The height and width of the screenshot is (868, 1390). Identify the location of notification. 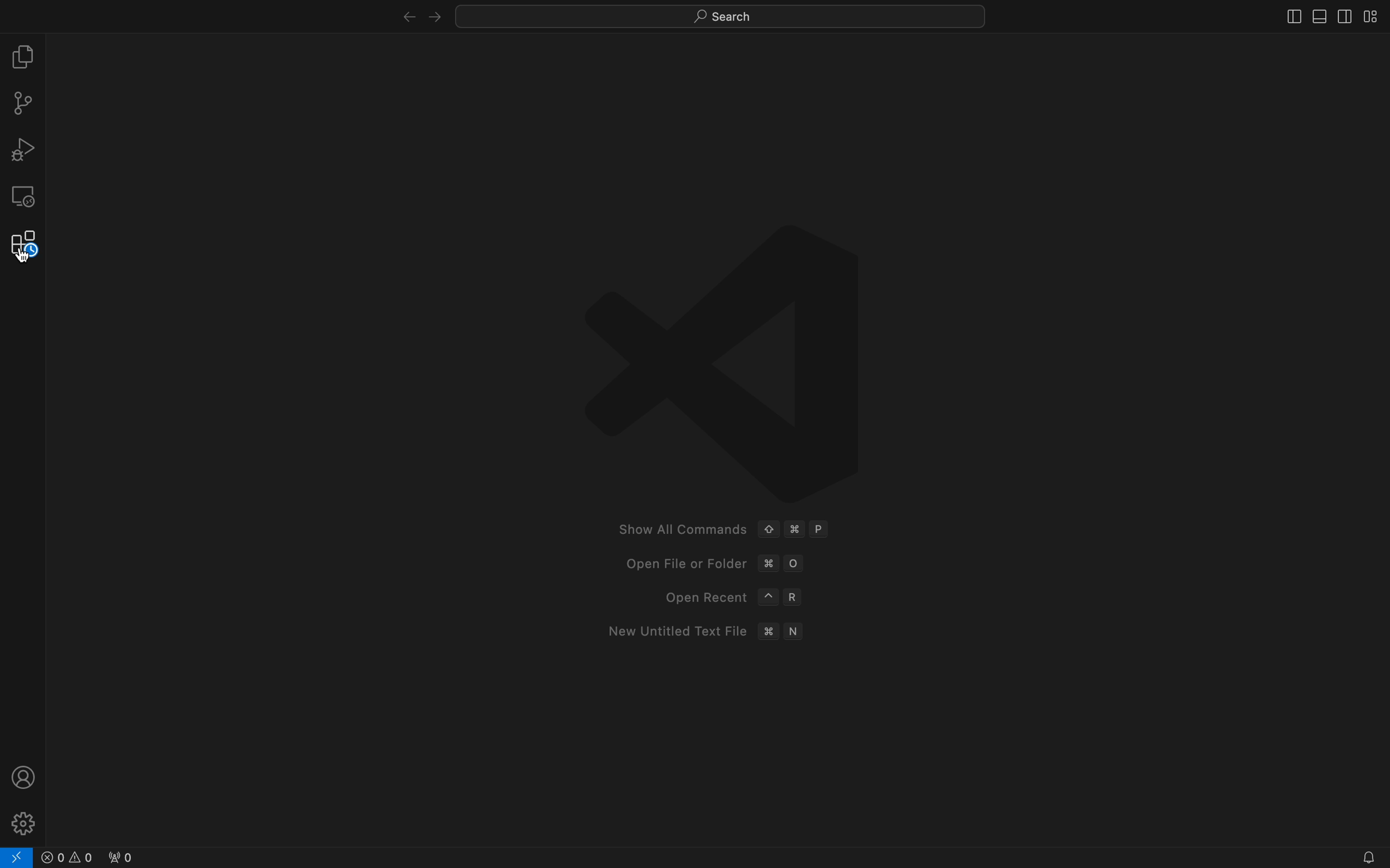
(1357, 855).